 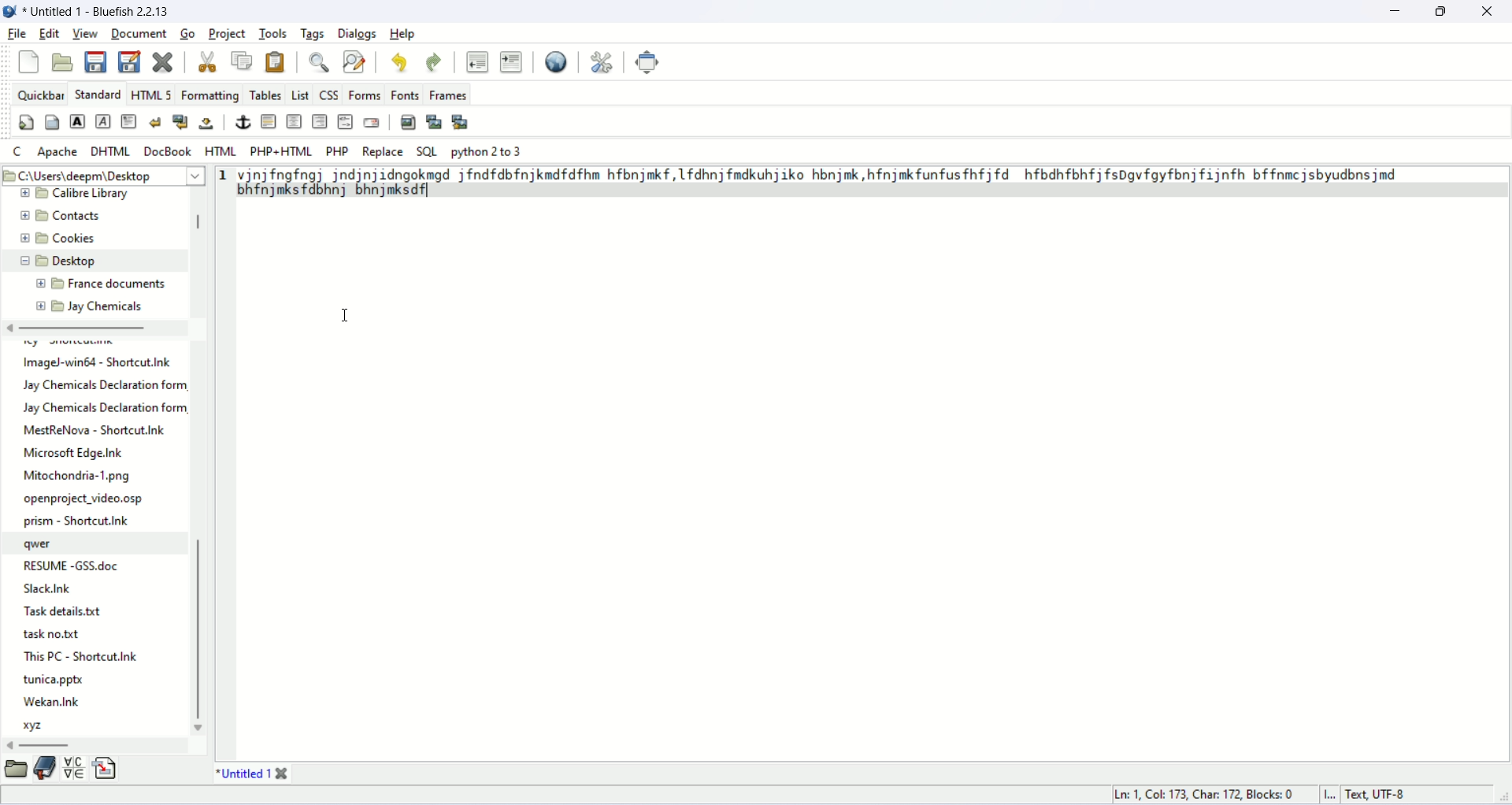 I want to click on bookmark, so click(x=44, y=771).